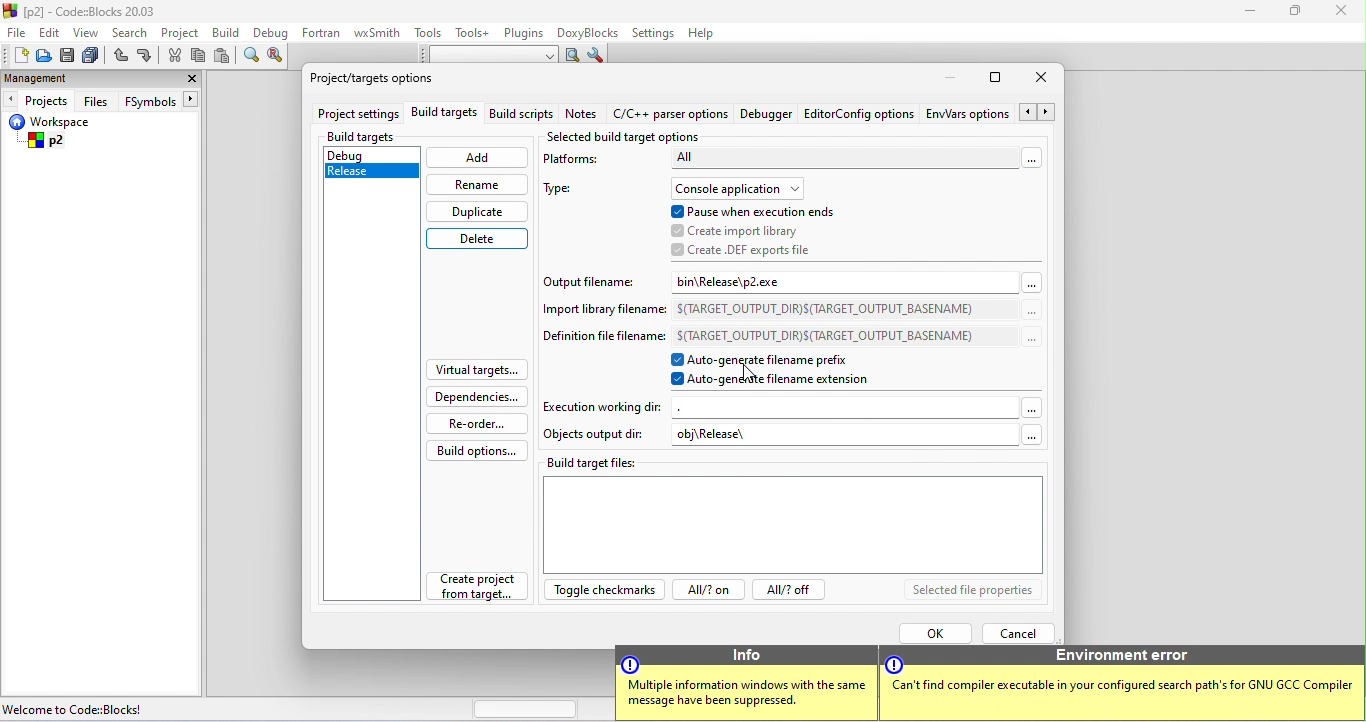 The width and height of the screenshot is (1366, 722). What do you see at coordinates (525, 34) in the screenshot?
I see `plugins` at bounding box center [525, 34].